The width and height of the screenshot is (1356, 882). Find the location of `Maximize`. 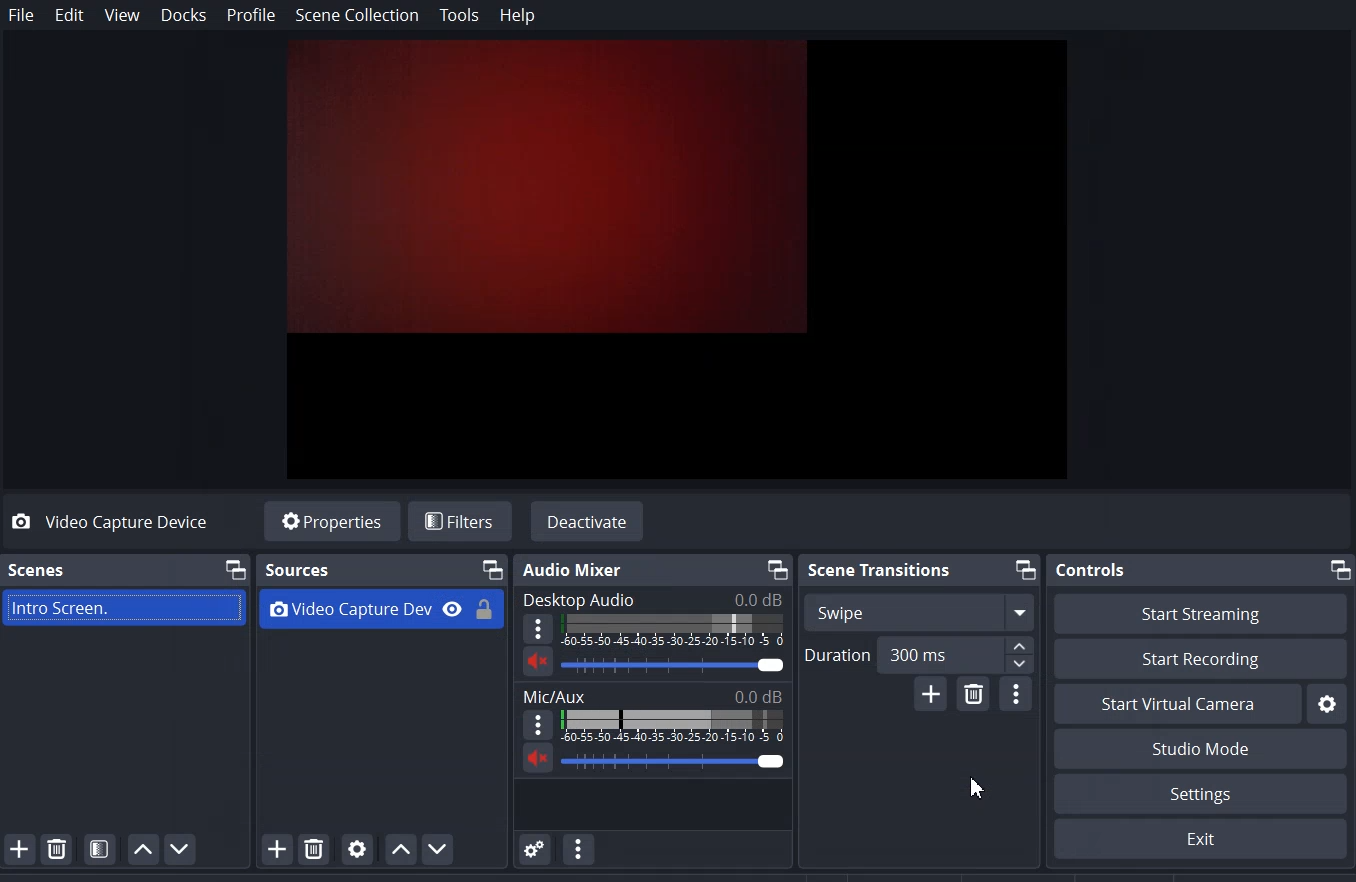

Maximize is located at coordinates (1026, 570).